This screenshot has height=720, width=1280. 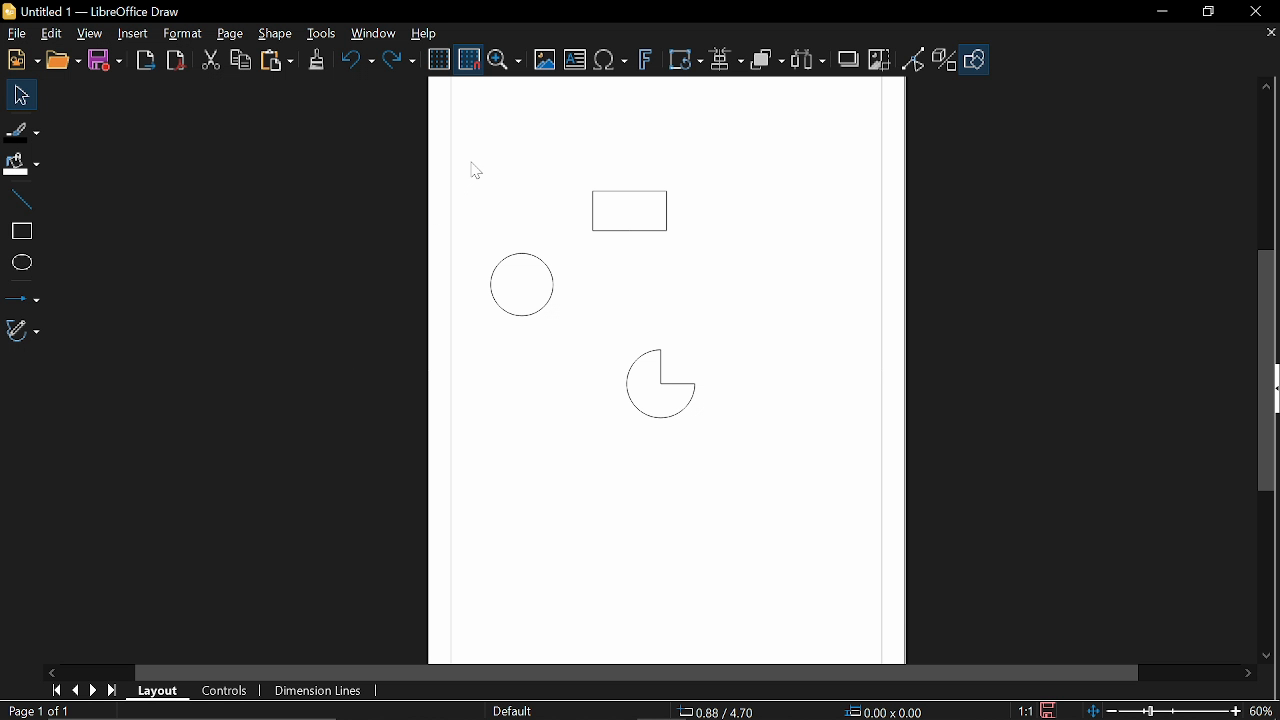 I want to click on Circle, so click(x=516, y=284).